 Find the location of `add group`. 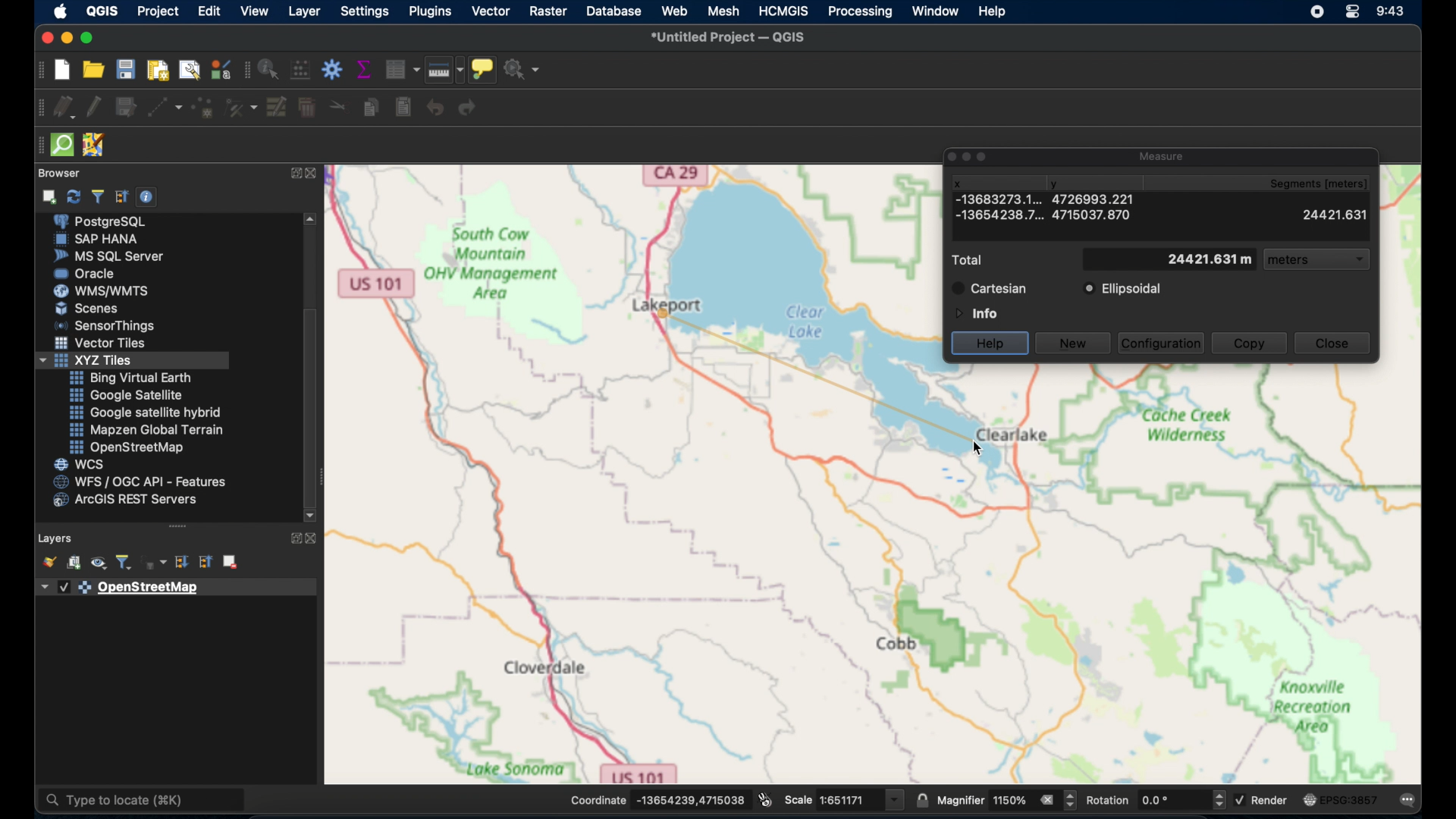

add group is located at coordinates (74, 564).